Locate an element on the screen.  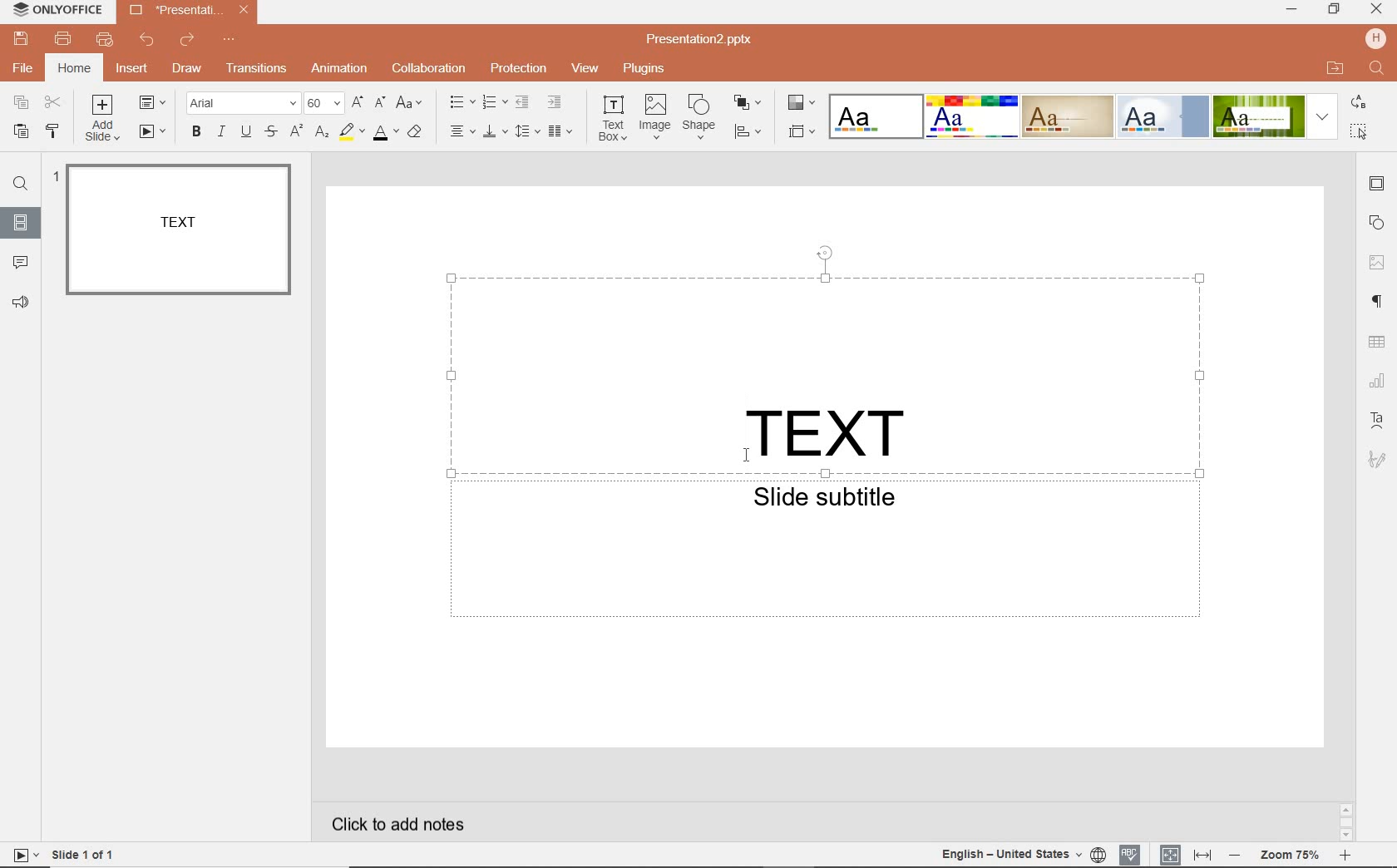
PROTECTION is located at coordinates (517, 68).